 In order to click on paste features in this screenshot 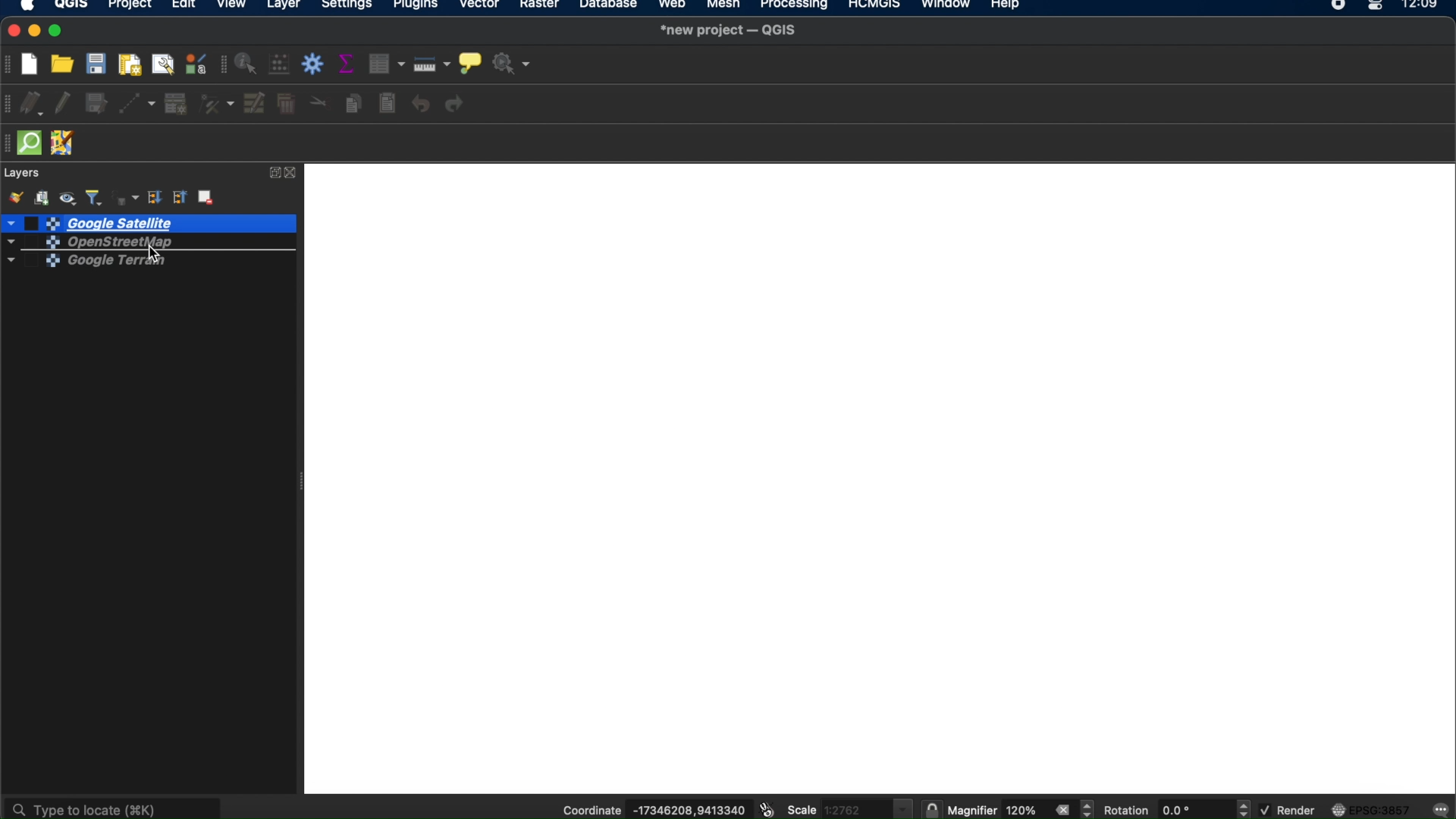, I will do `click(389, 104)`.